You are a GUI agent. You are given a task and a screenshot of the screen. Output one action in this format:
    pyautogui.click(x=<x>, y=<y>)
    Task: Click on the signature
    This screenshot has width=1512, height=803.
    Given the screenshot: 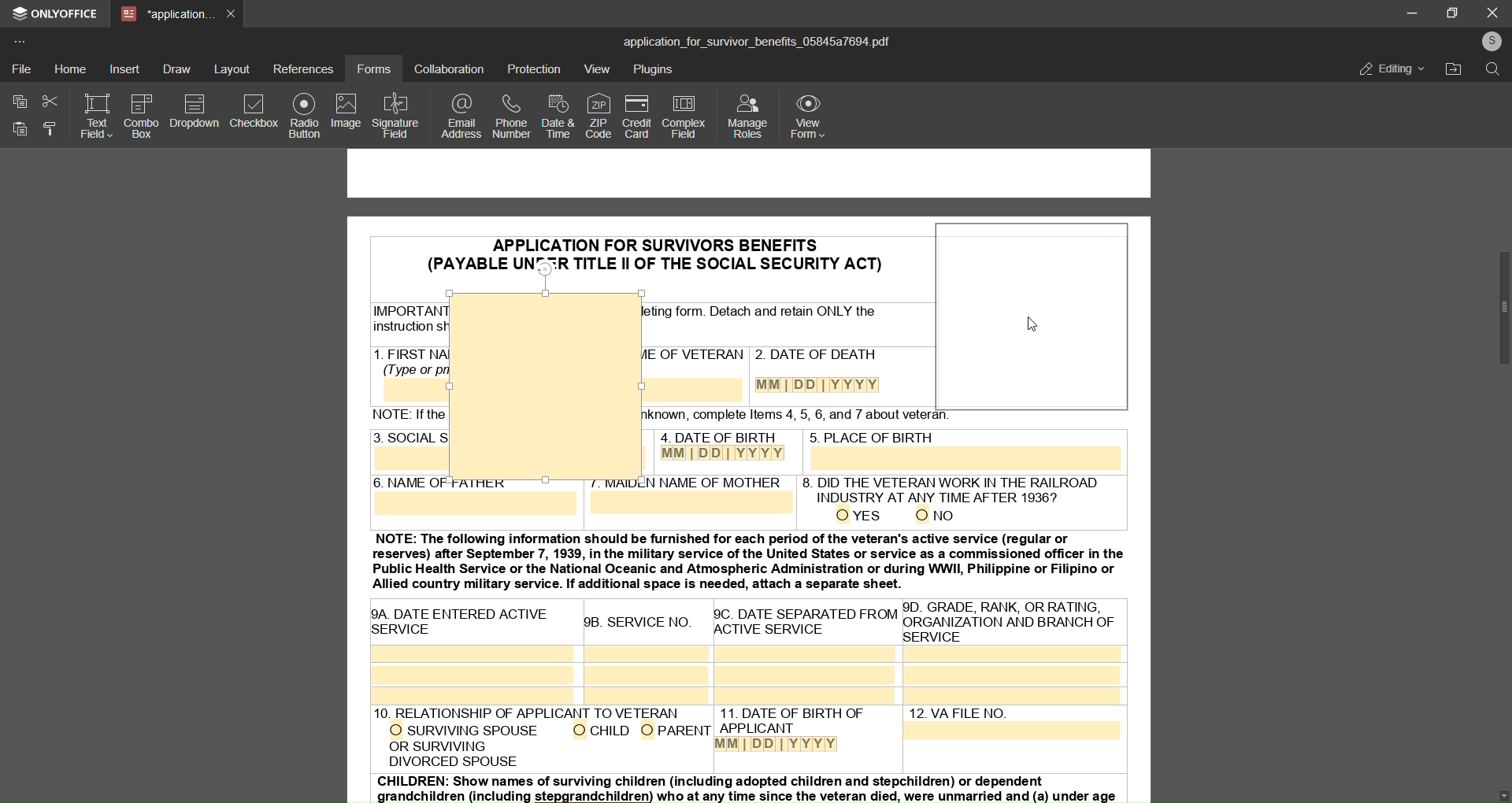 What is the action you would take?
    pyautogui.click(x=400, y=108)
    